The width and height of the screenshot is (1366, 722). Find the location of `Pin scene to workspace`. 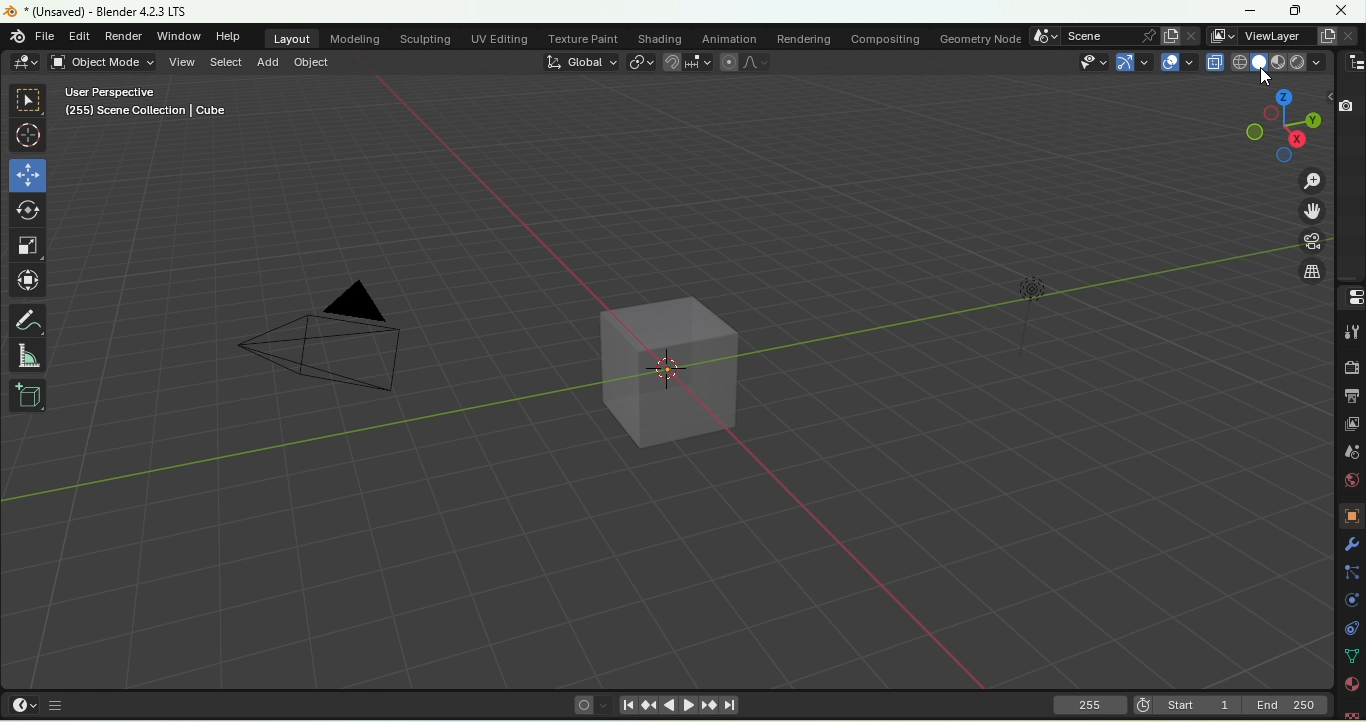

Pin scene to workspace is located at coordinates (1147, 36).